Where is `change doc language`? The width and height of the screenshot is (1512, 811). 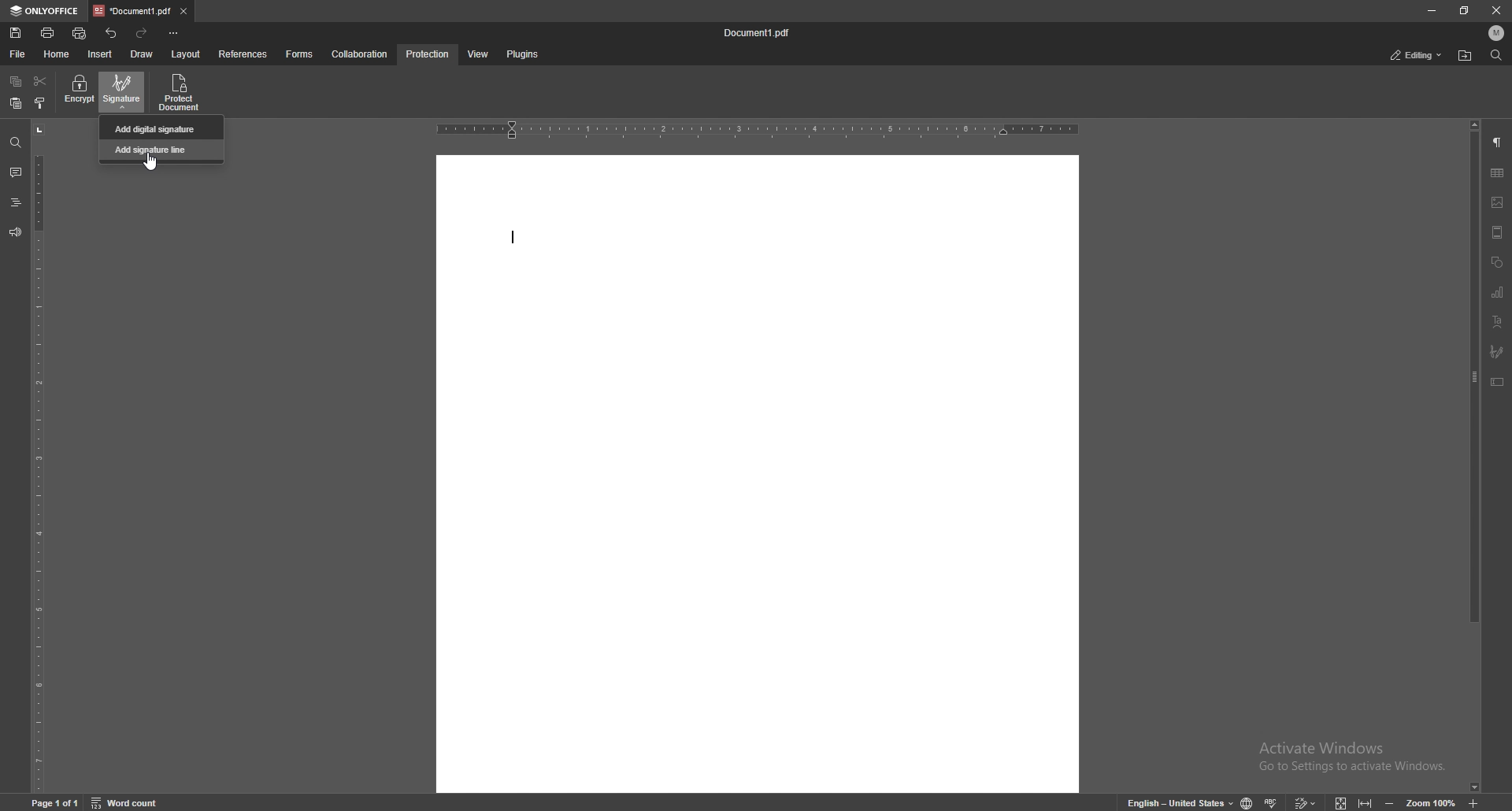 change doc language is located at coordinates (1241, 802).